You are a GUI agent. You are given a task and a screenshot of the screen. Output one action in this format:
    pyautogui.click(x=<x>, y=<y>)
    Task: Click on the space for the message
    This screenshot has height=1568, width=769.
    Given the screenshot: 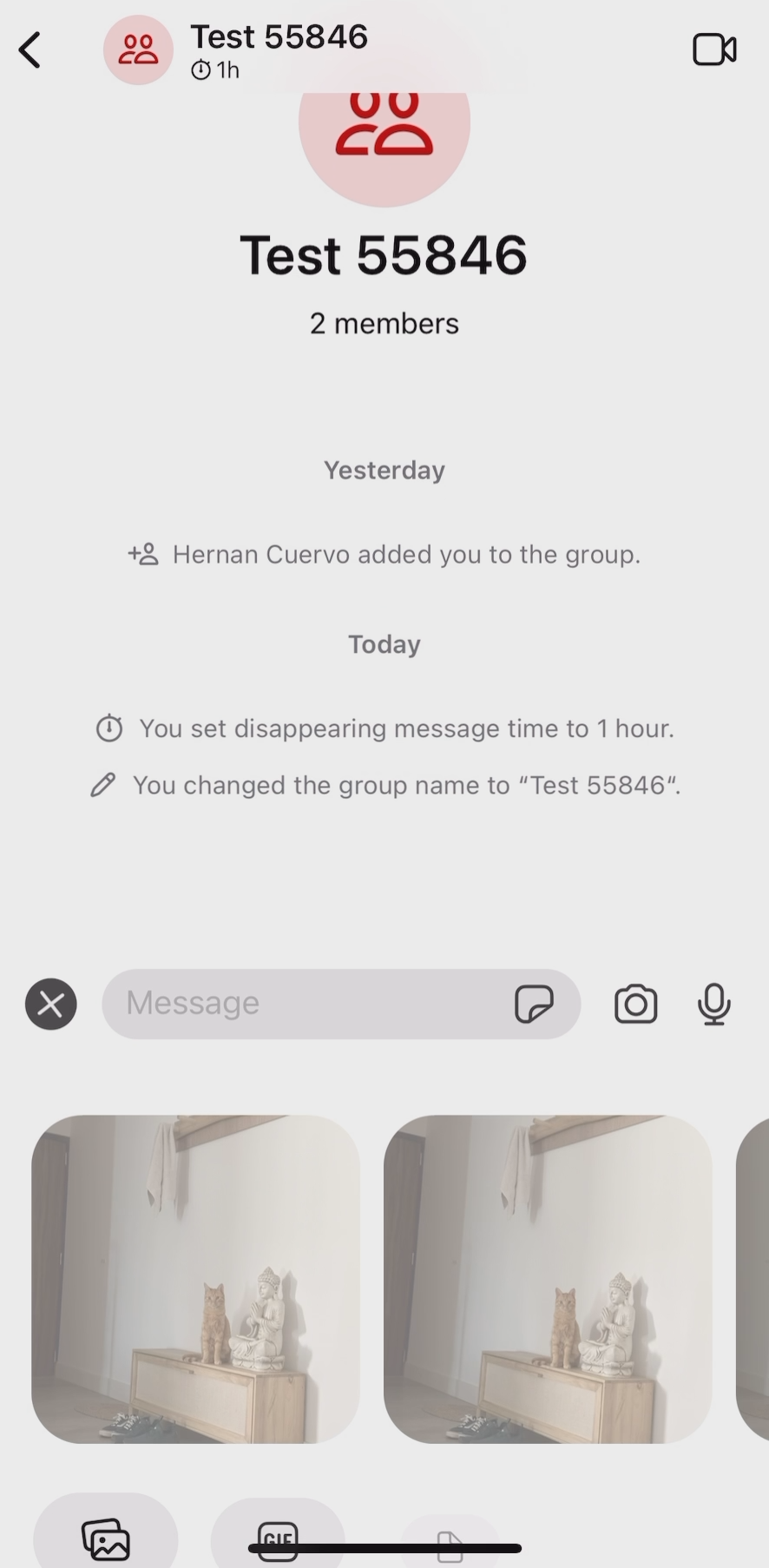 What is the action you would take?
    pyautogui.click(x=302, y=1004)
    